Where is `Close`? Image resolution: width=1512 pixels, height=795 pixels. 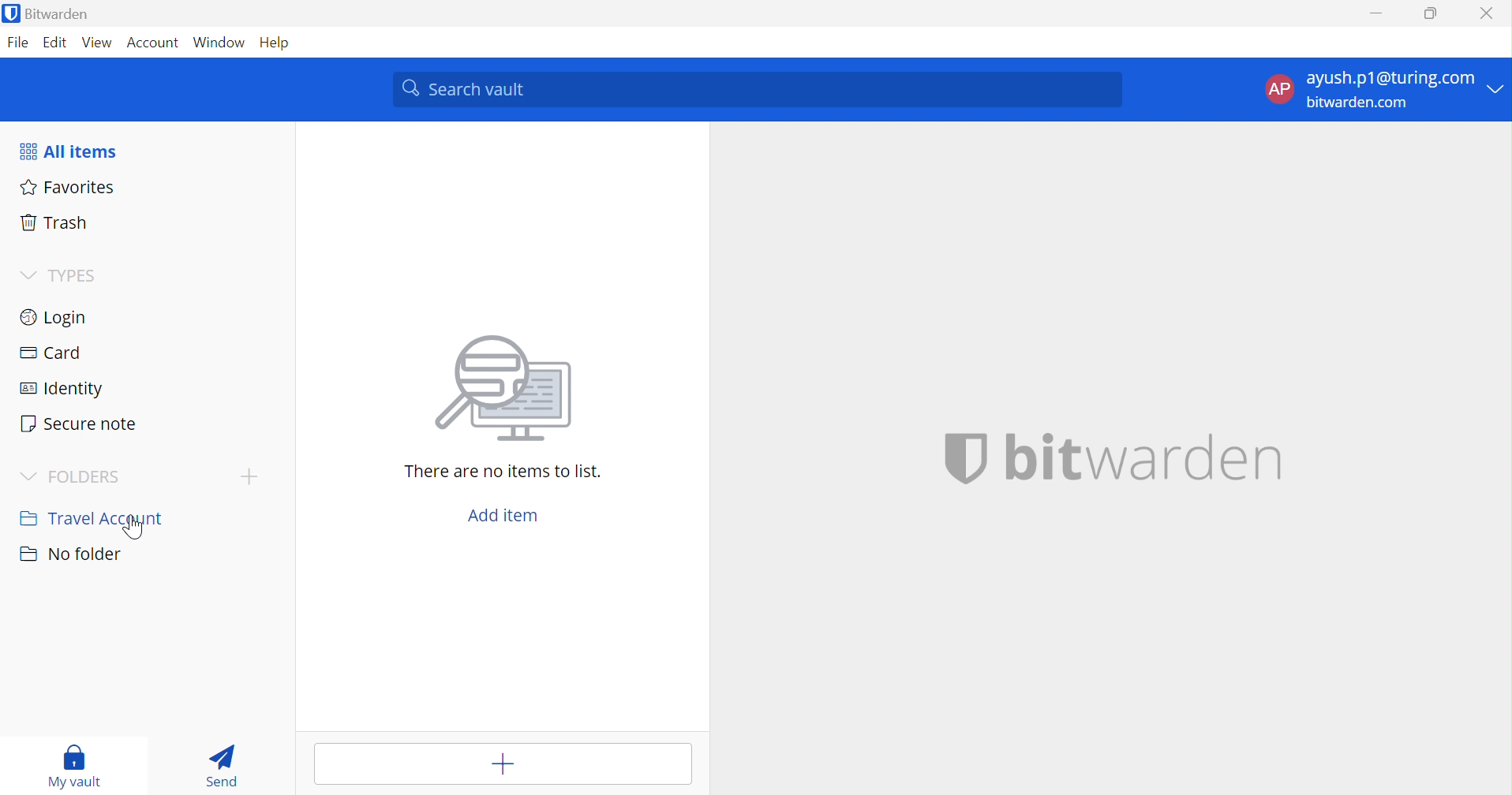 Close is located at coordinates (1487, 13).